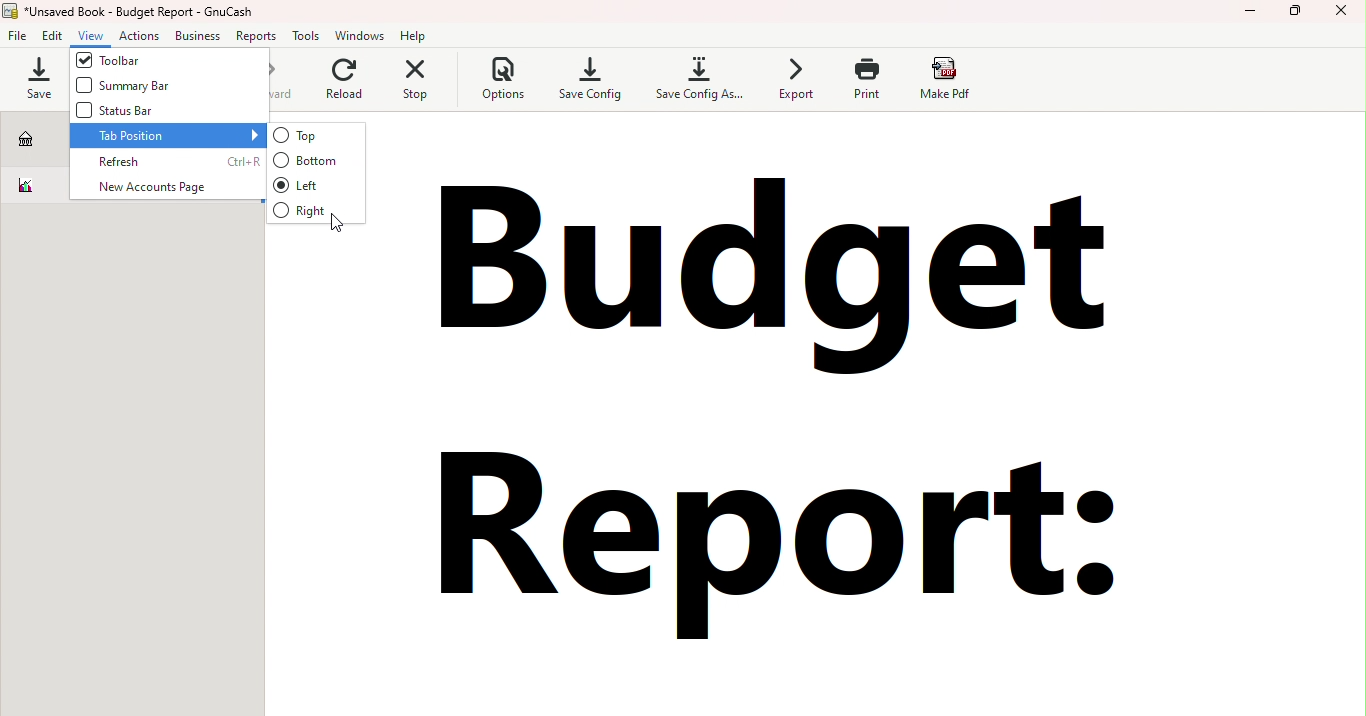  I want to click on File, so click(18, 37).